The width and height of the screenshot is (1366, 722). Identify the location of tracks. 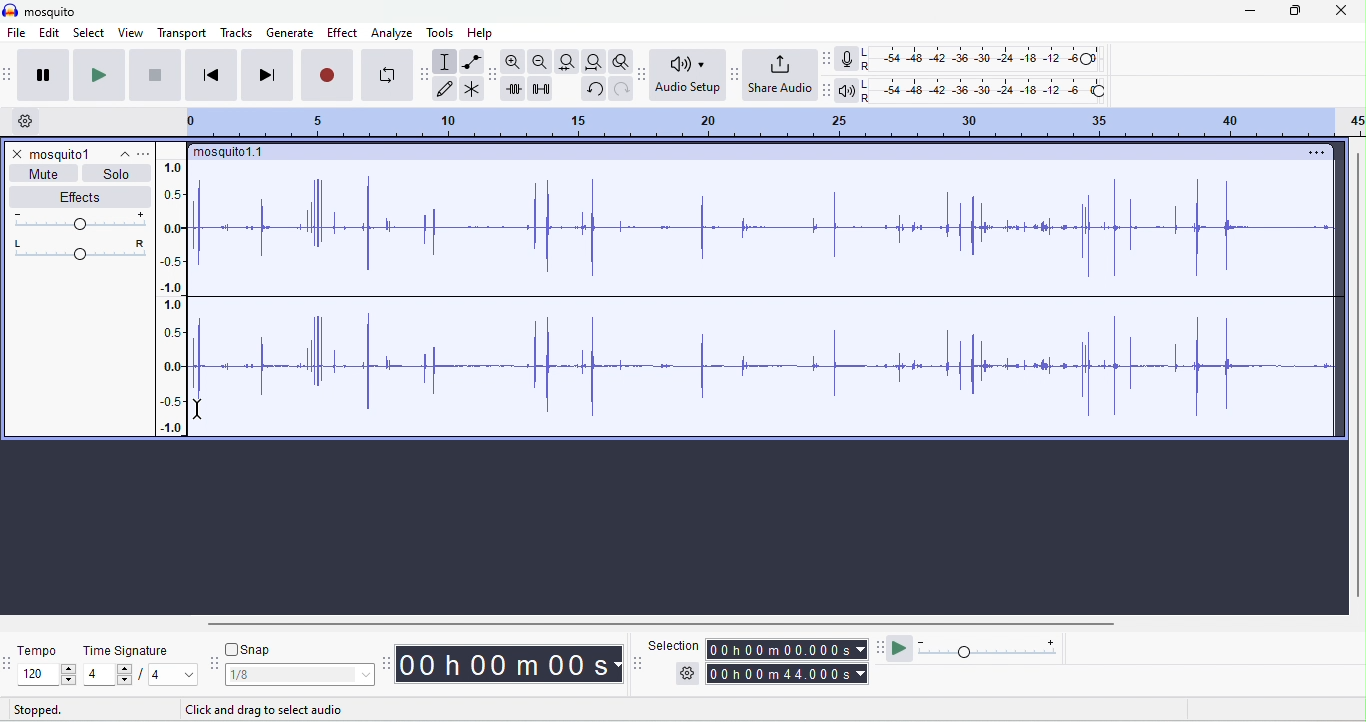
(237, 32).